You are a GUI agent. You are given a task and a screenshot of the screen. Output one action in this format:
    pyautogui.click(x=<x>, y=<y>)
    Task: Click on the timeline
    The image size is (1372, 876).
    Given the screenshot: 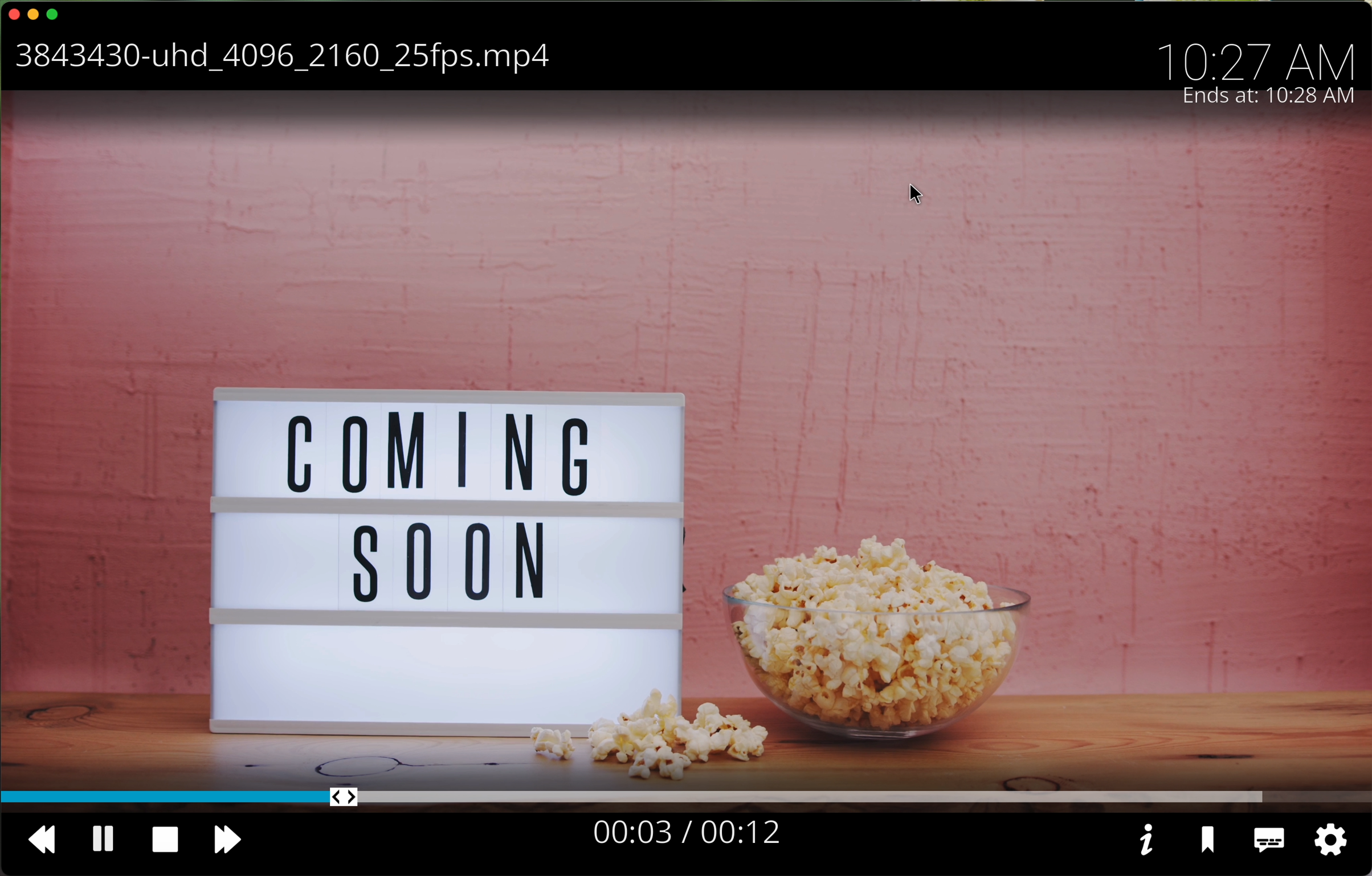 What is the action you would take?
    pyautogui.click(x=688, y=799)
    